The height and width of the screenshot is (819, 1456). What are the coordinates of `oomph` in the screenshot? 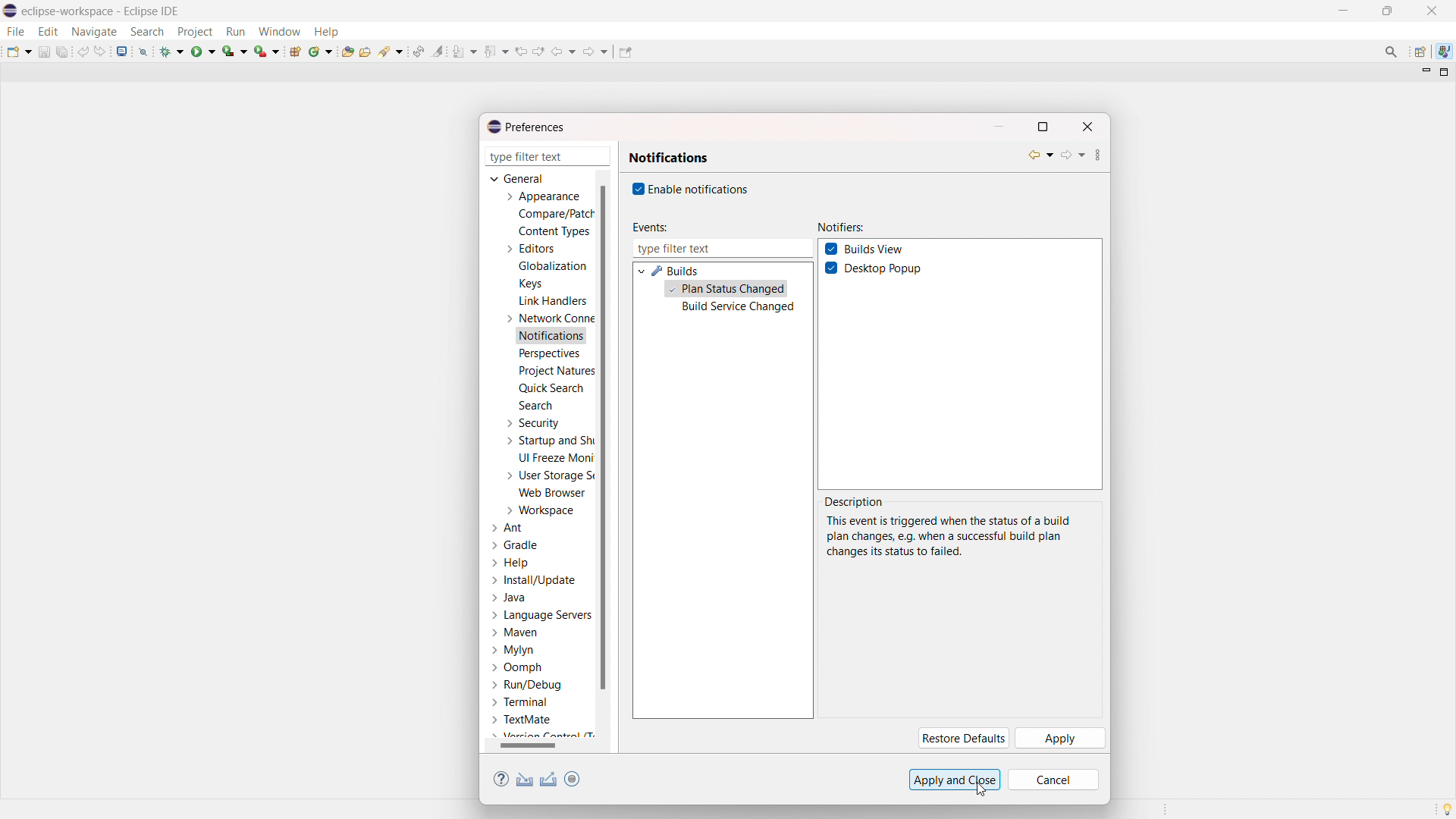 It's located at (516, 669).